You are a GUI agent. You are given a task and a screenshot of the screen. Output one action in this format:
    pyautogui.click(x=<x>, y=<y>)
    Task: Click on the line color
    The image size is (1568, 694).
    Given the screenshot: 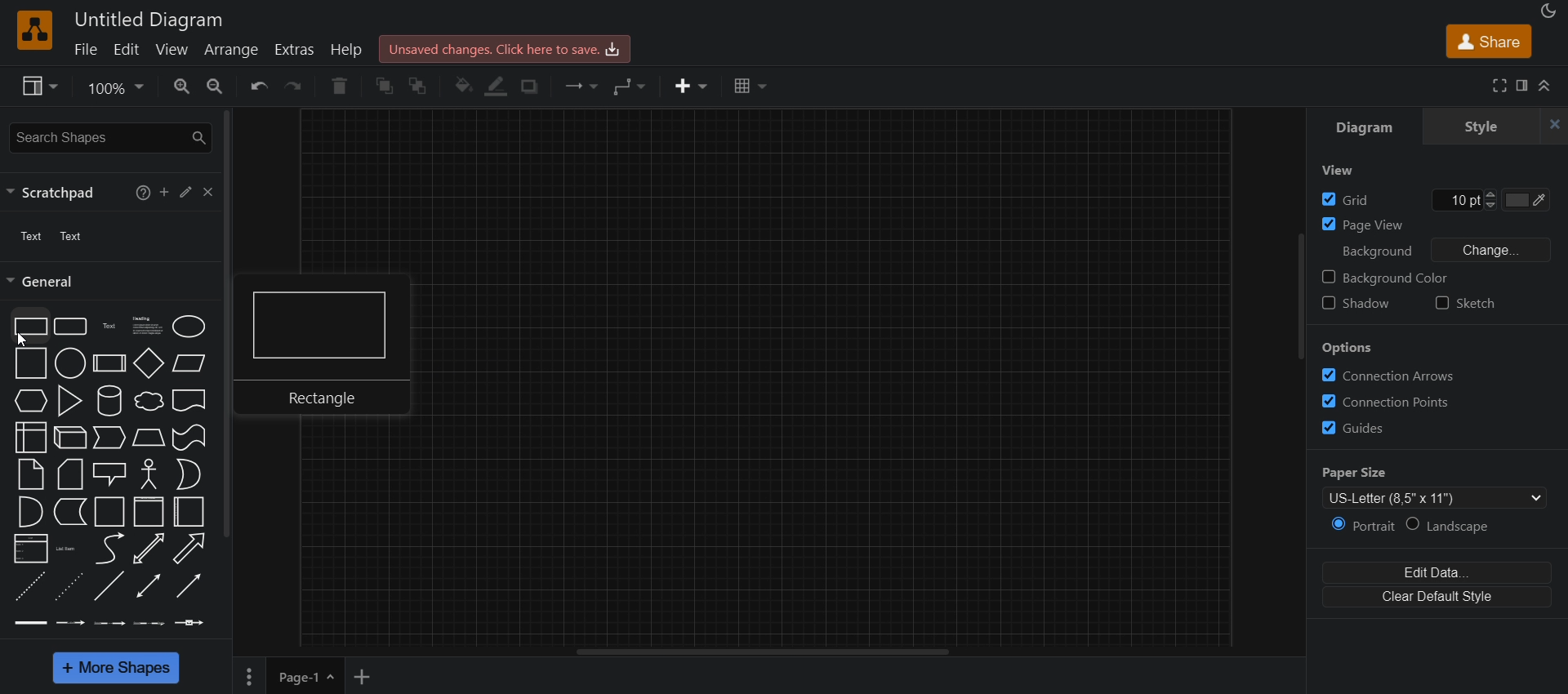 What is the action you would take?
    pyautogui.click(x=496, y=87)
    